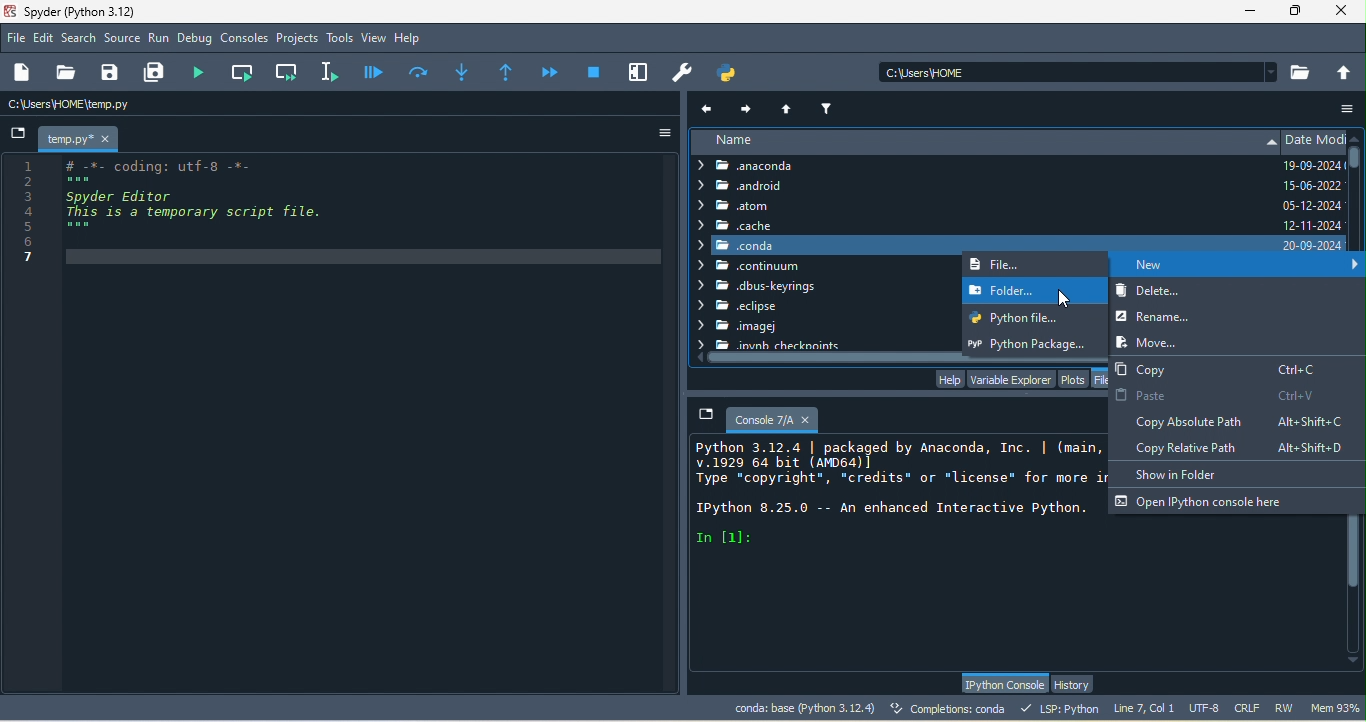 The height and width of the screenshot is (722, 1366). Describe the element at coordinates (1175, 317) in the screenshot. I see `rename` at that location.